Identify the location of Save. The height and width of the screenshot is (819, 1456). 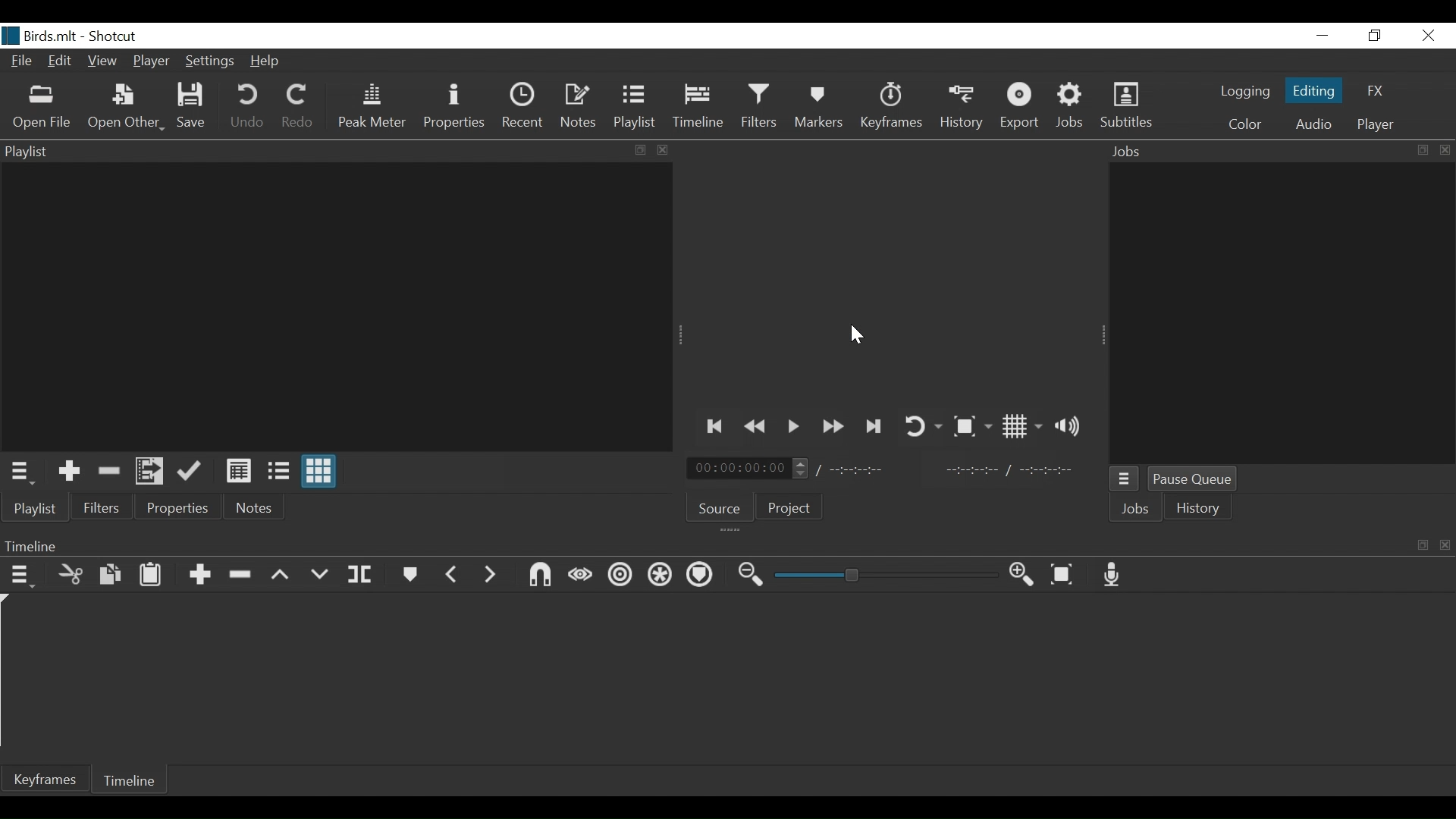
(193, 107).